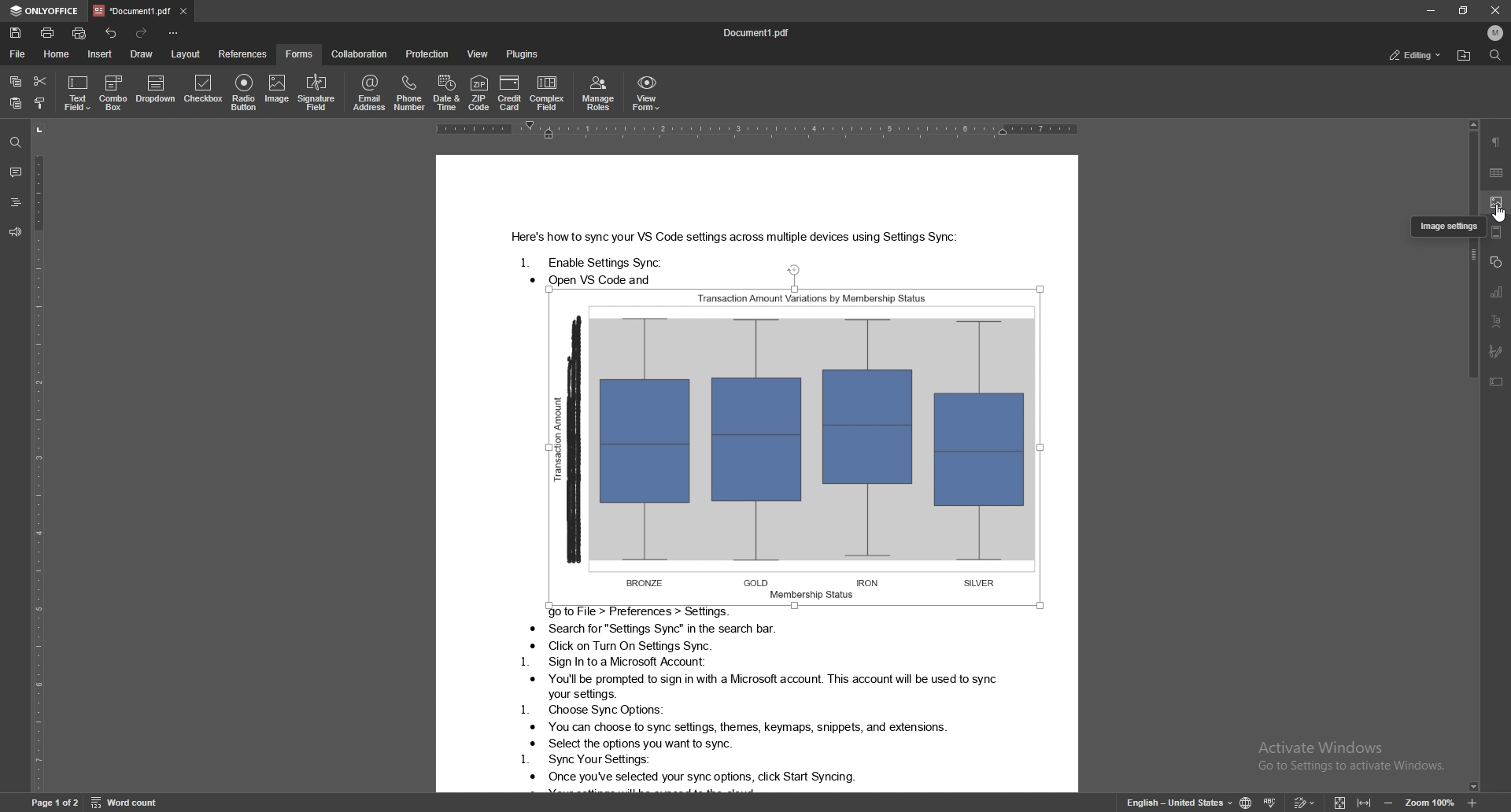 Image resolution: width=1511 pixels, height=812 pixels. I want to click on close tab, so click(184, 10).